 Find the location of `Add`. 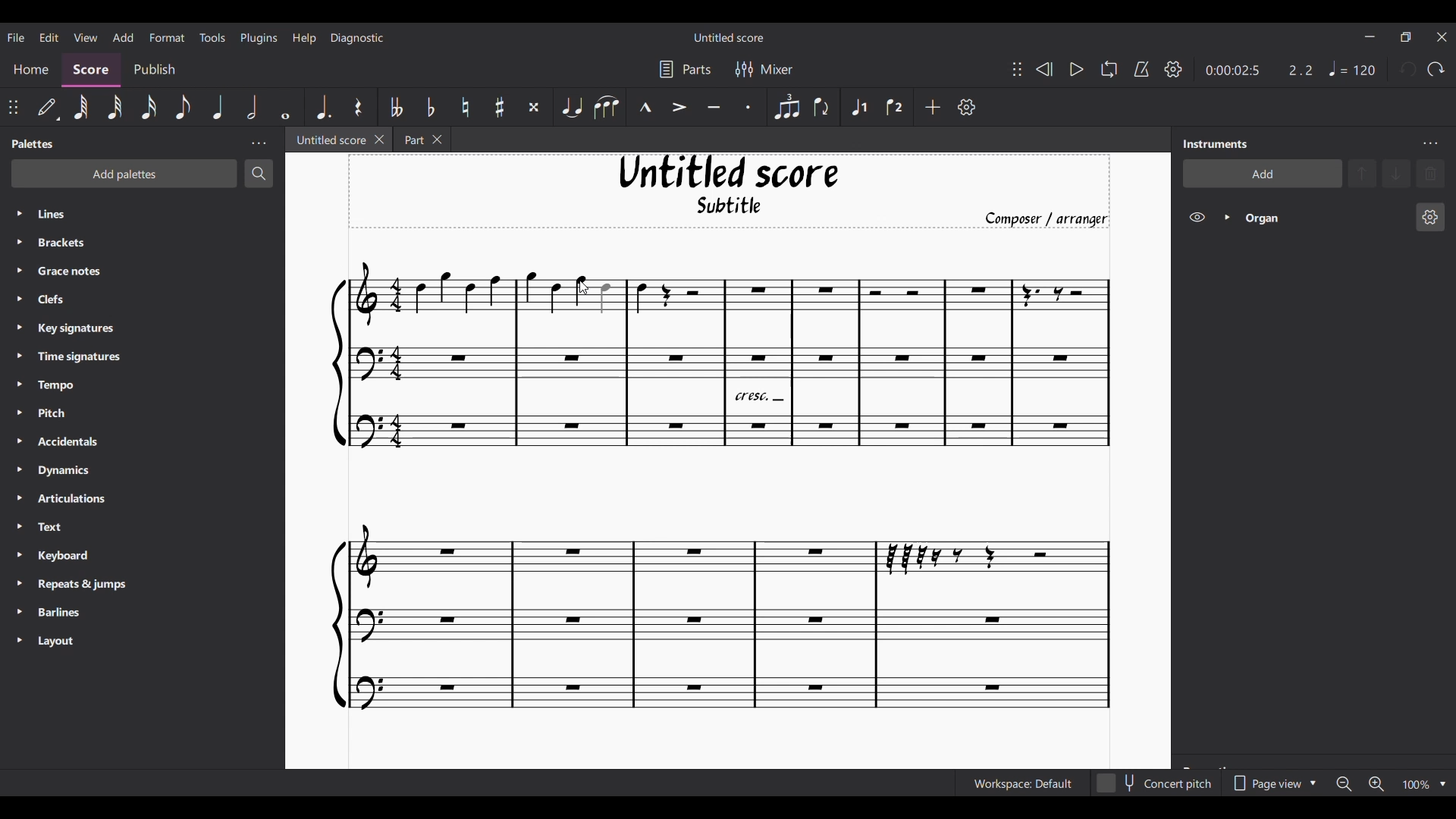

Add is located at coordinates (933, 107).